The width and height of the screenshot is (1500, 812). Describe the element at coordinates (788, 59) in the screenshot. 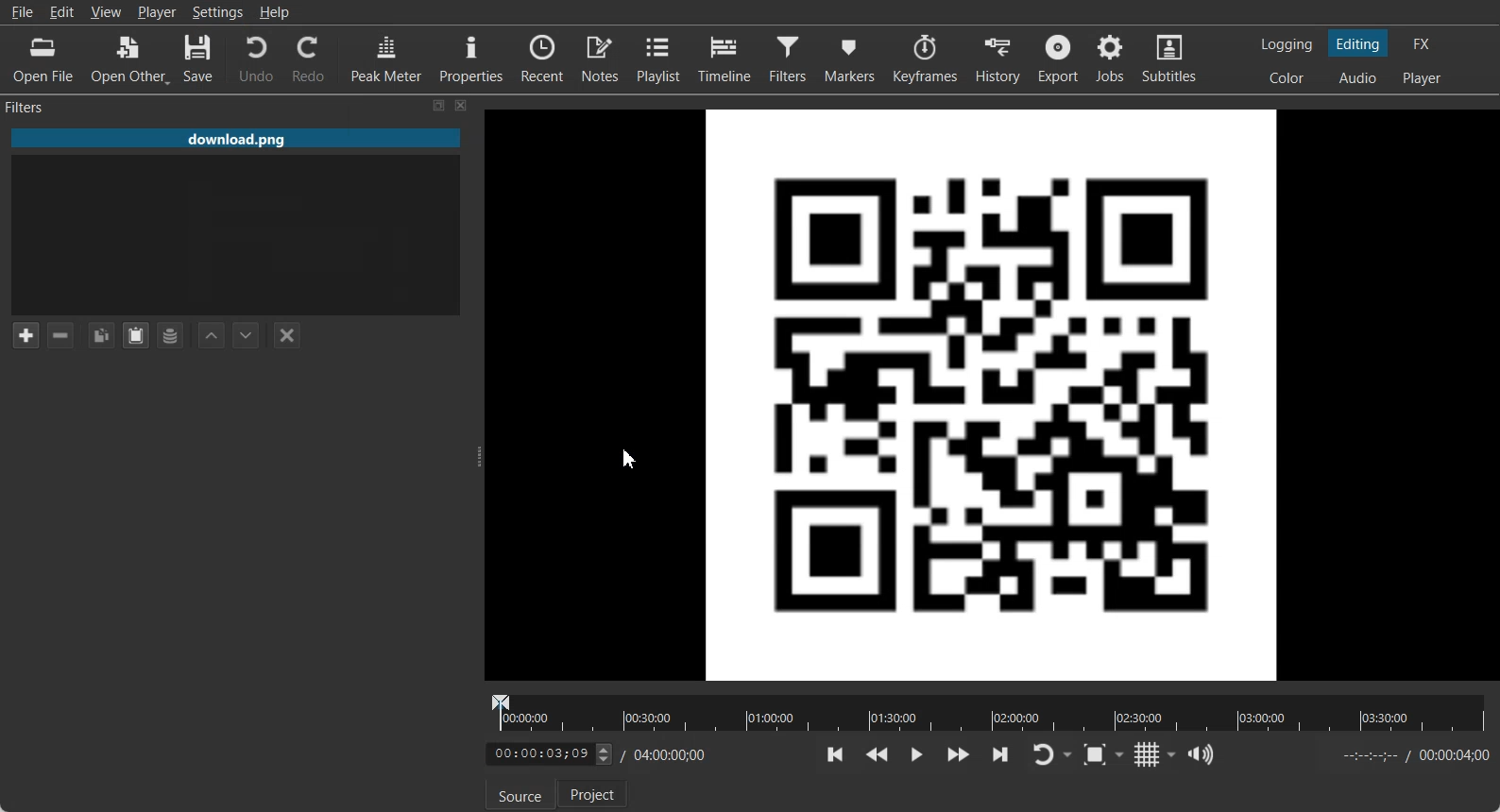

I see `Filter` at that location.